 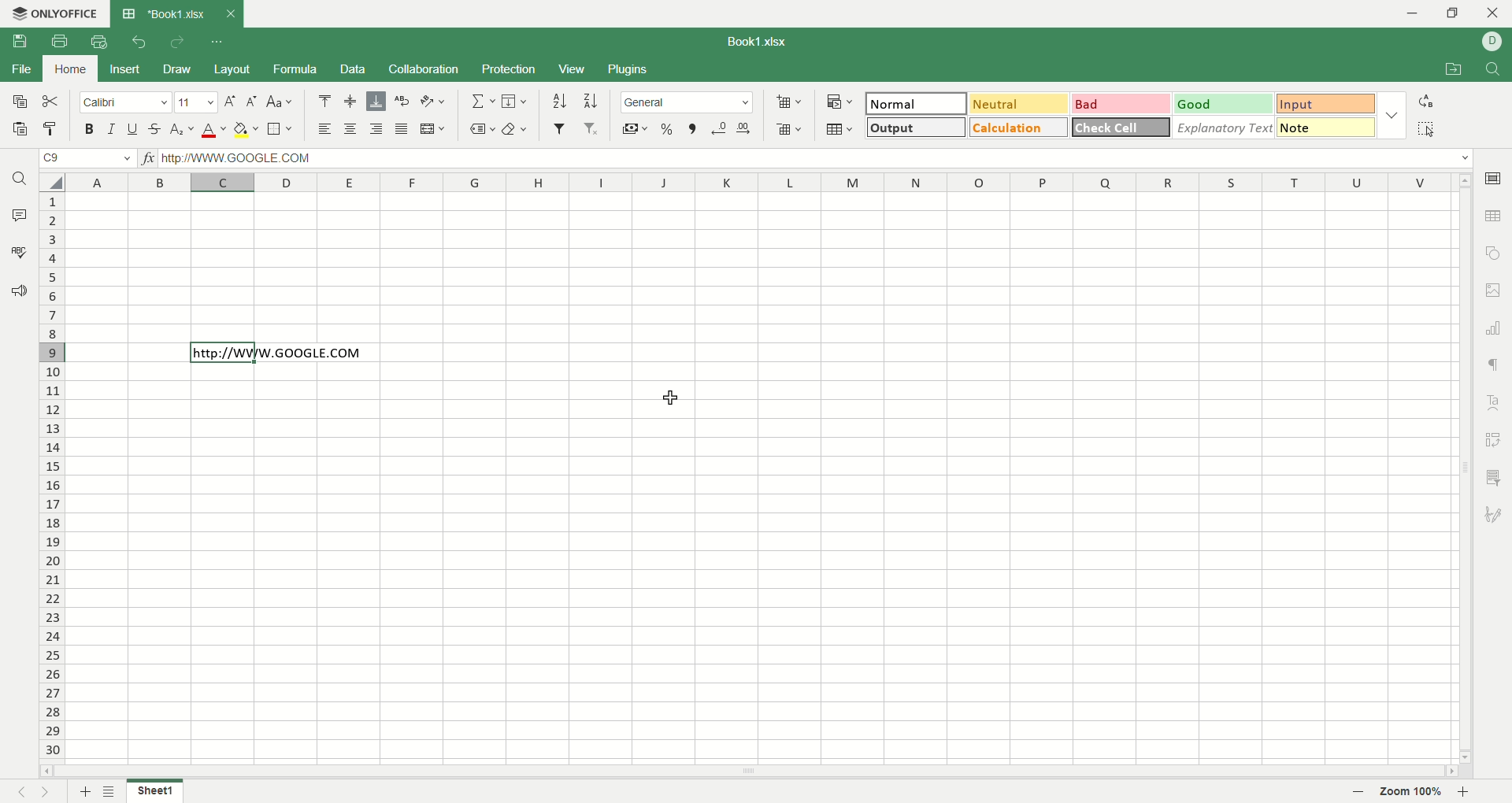 What do you see at coordinates (1496, 178) in the screenshot?
I see `cell option` at bounding box center [1496, 178].